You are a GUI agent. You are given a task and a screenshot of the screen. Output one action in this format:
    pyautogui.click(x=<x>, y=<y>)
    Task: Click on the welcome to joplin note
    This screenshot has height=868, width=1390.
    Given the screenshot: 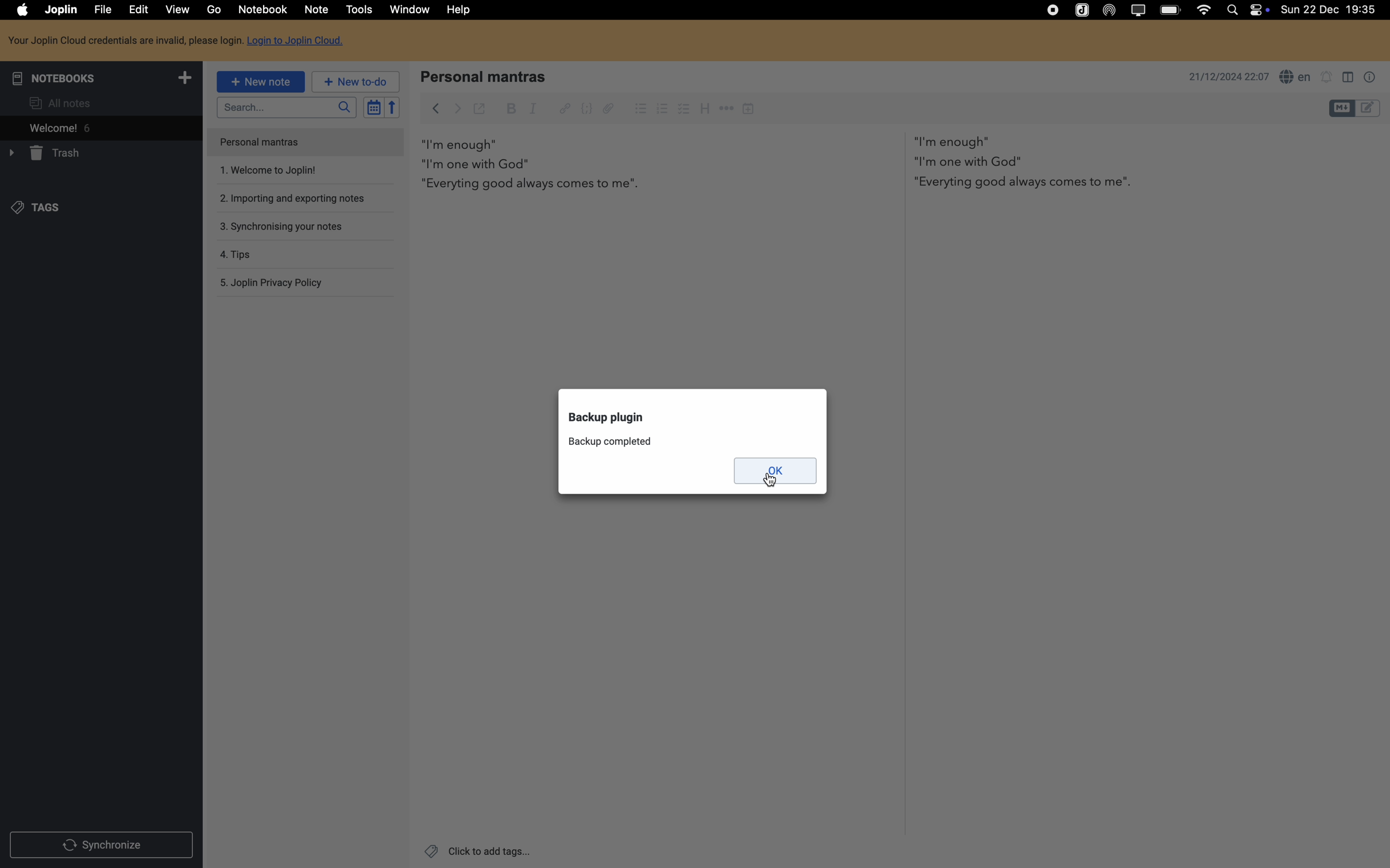 What is the action you would take?
    pyautogui.click(x=275, y=172)
    